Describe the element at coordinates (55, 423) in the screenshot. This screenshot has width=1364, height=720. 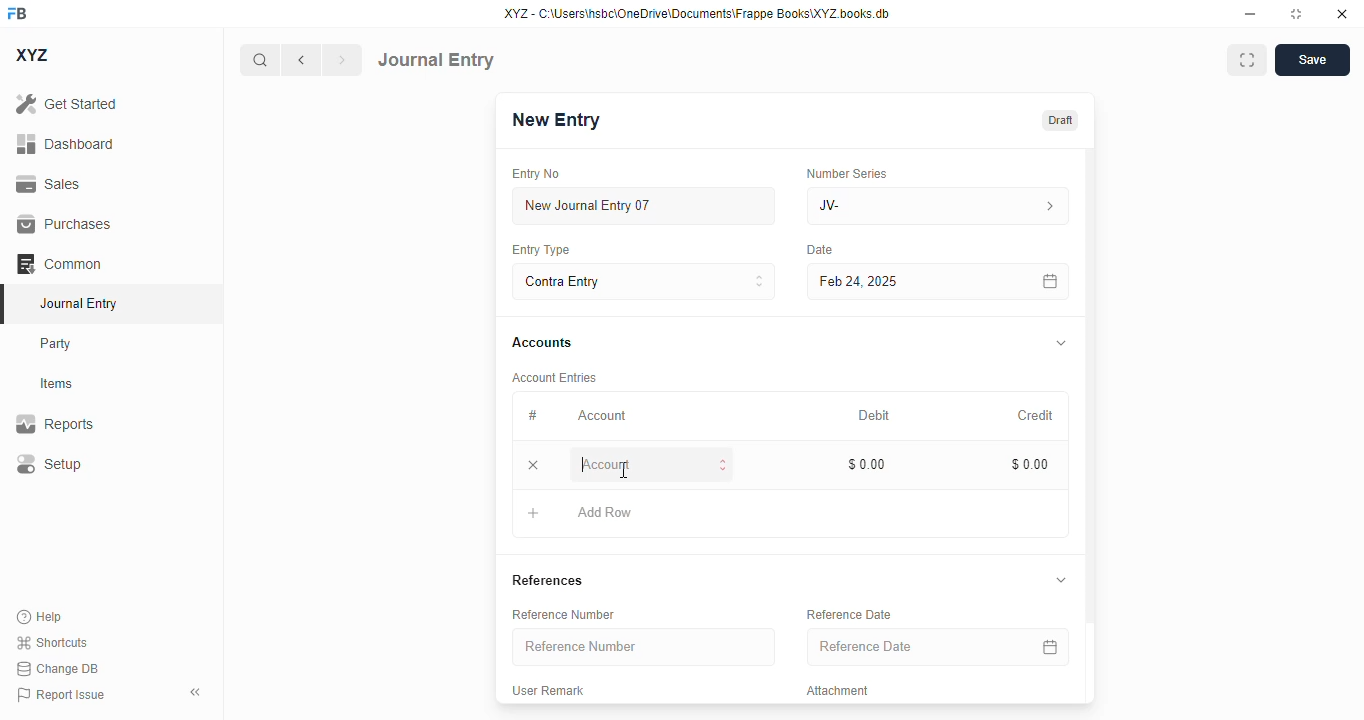
I see `reports` at that location.